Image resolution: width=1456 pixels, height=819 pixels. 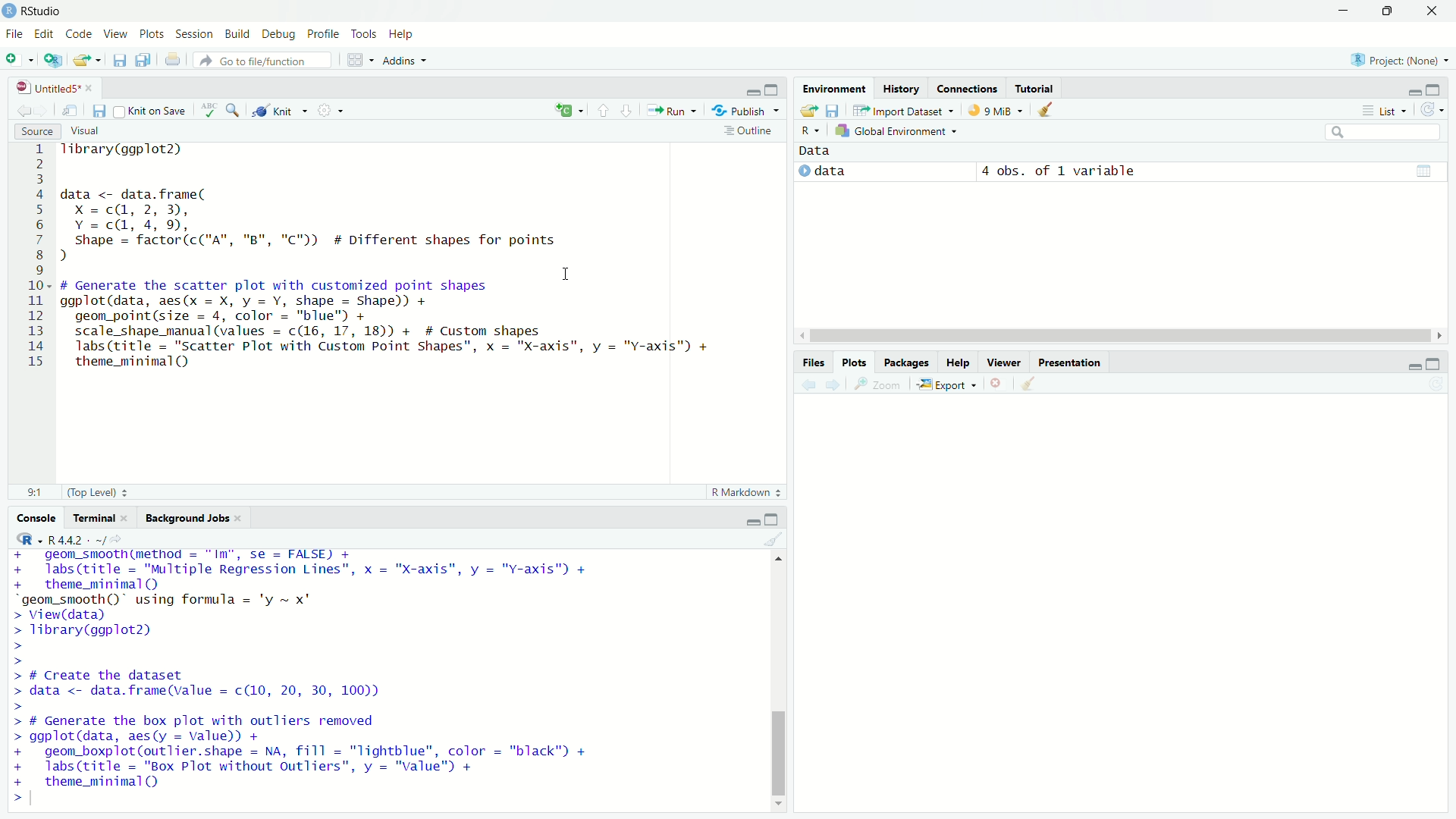 I want to click on Clear objects from workspace, so click(x=1046, y=109).